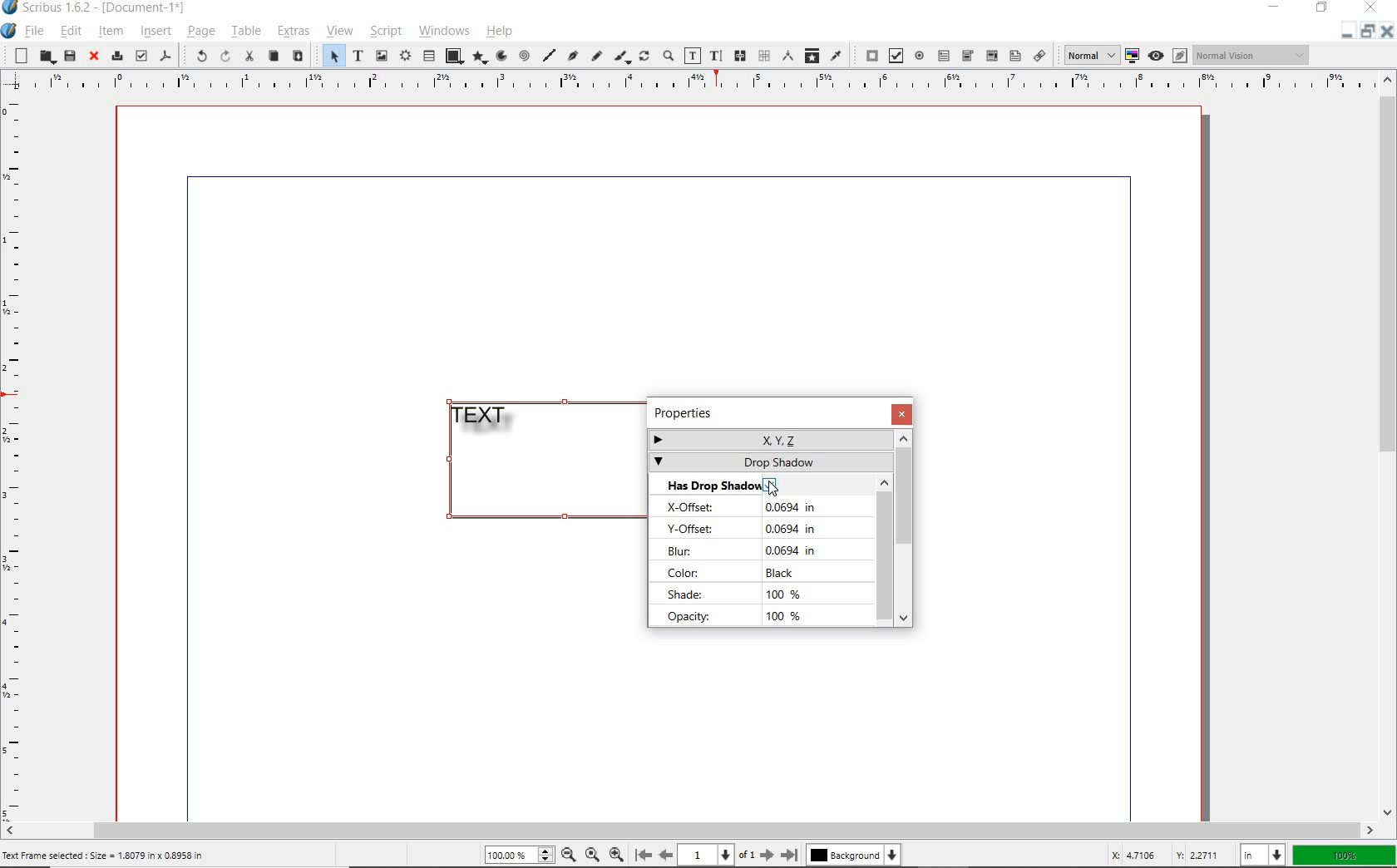 The image size is (1397, 868). I want to click on copy item properties, so click(811, 55).